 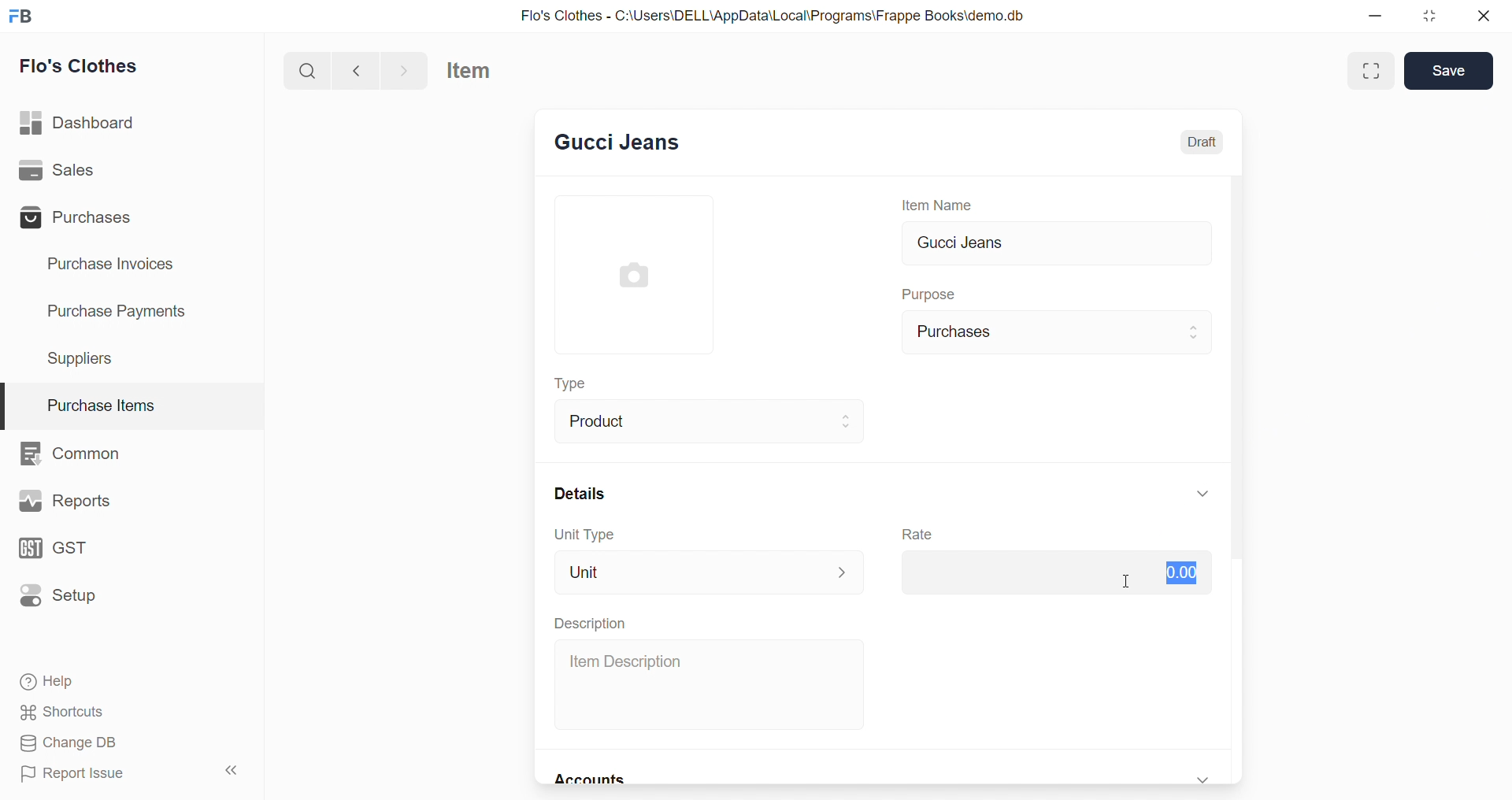 I want to click on navigate backward, so click(x=356, y=69).